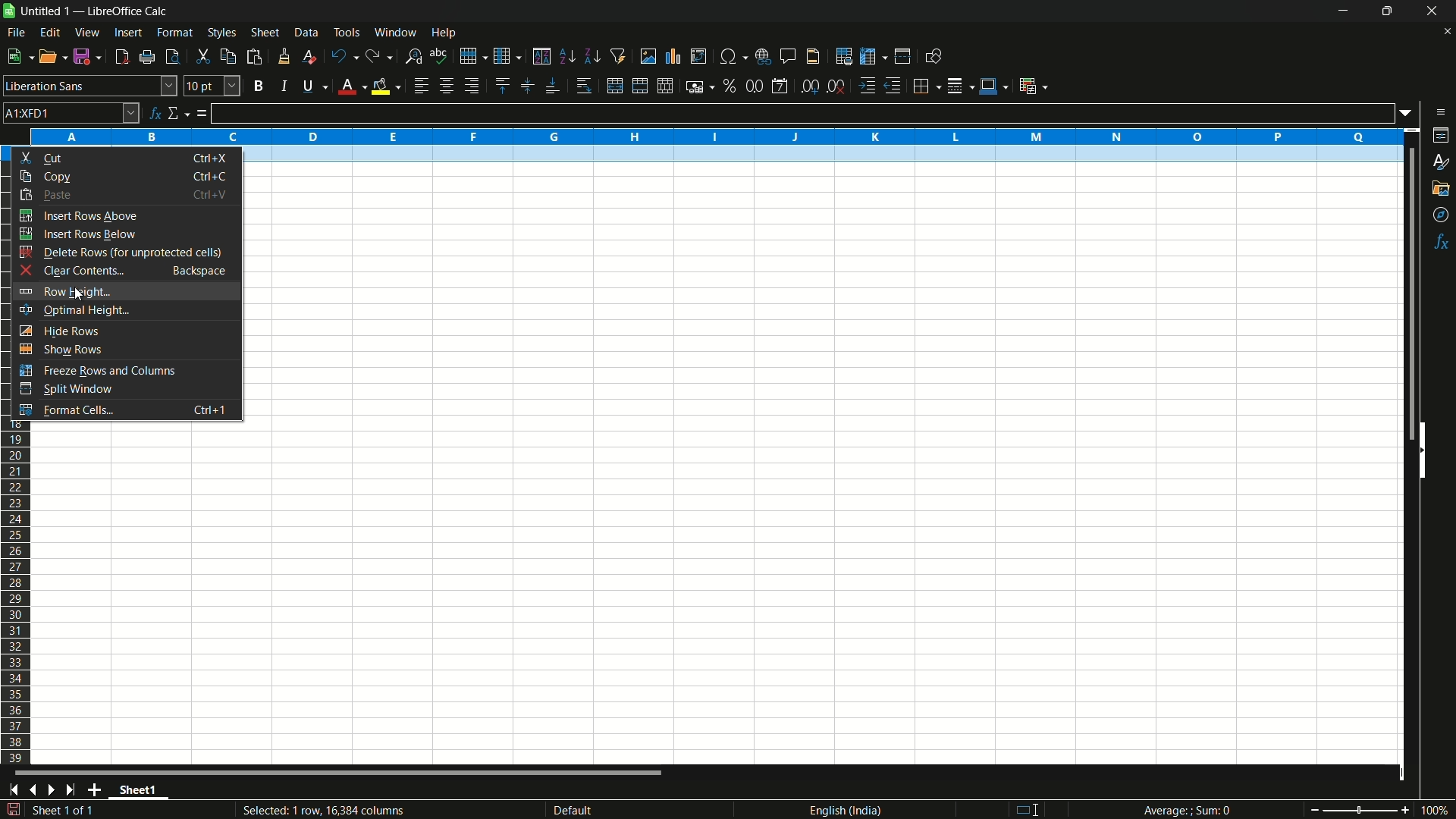  I want to click on find and replace, so click(414, 55).